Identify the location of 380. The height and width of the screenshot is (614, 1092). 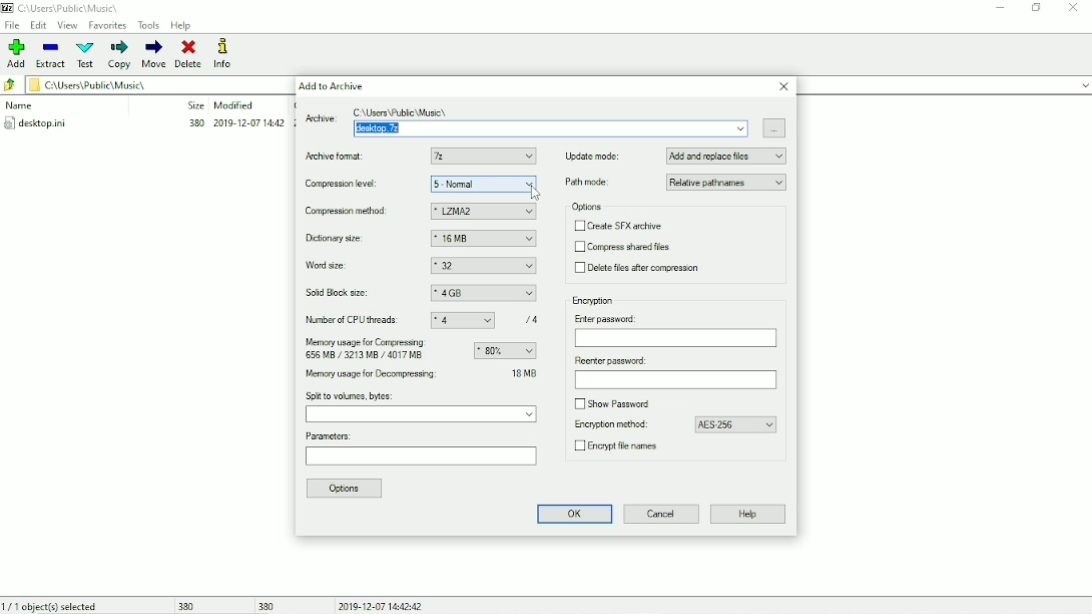
(268, 605).